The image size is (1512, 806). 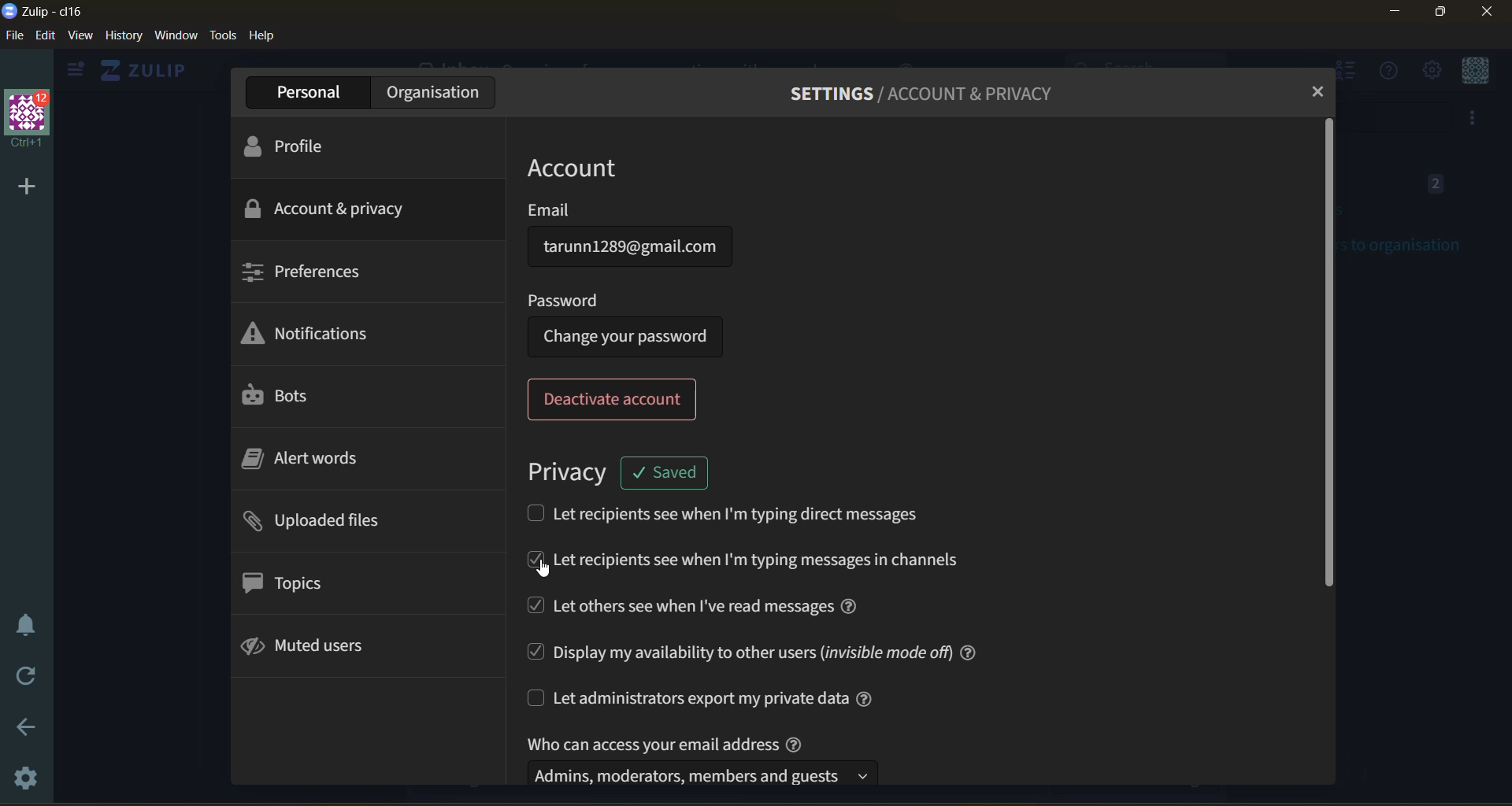 I want to click on history, so click(x=124, y=38).